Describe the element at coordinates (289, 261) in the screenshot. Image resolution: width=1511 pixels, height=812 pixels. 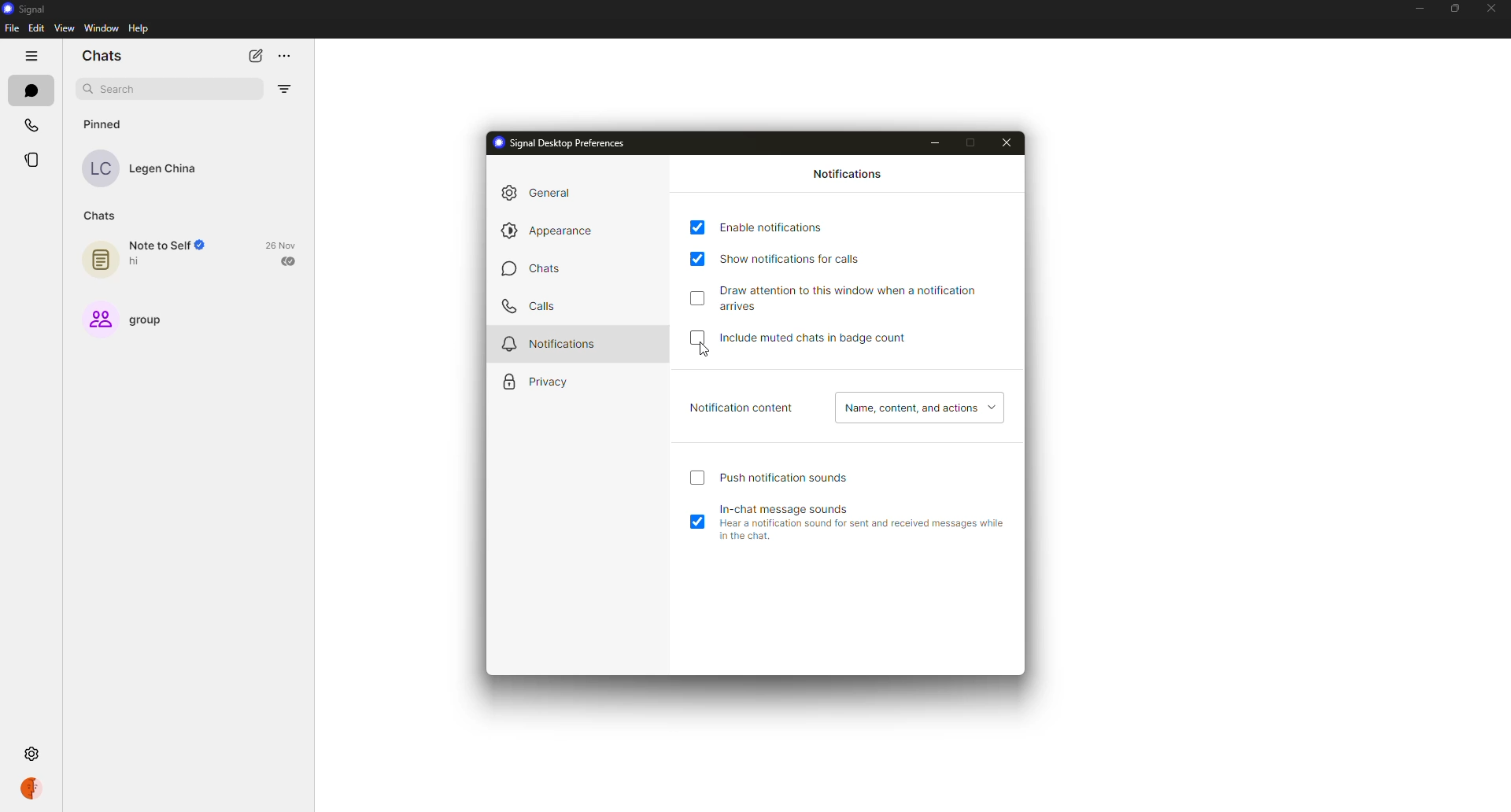
I see `sent` at that location.